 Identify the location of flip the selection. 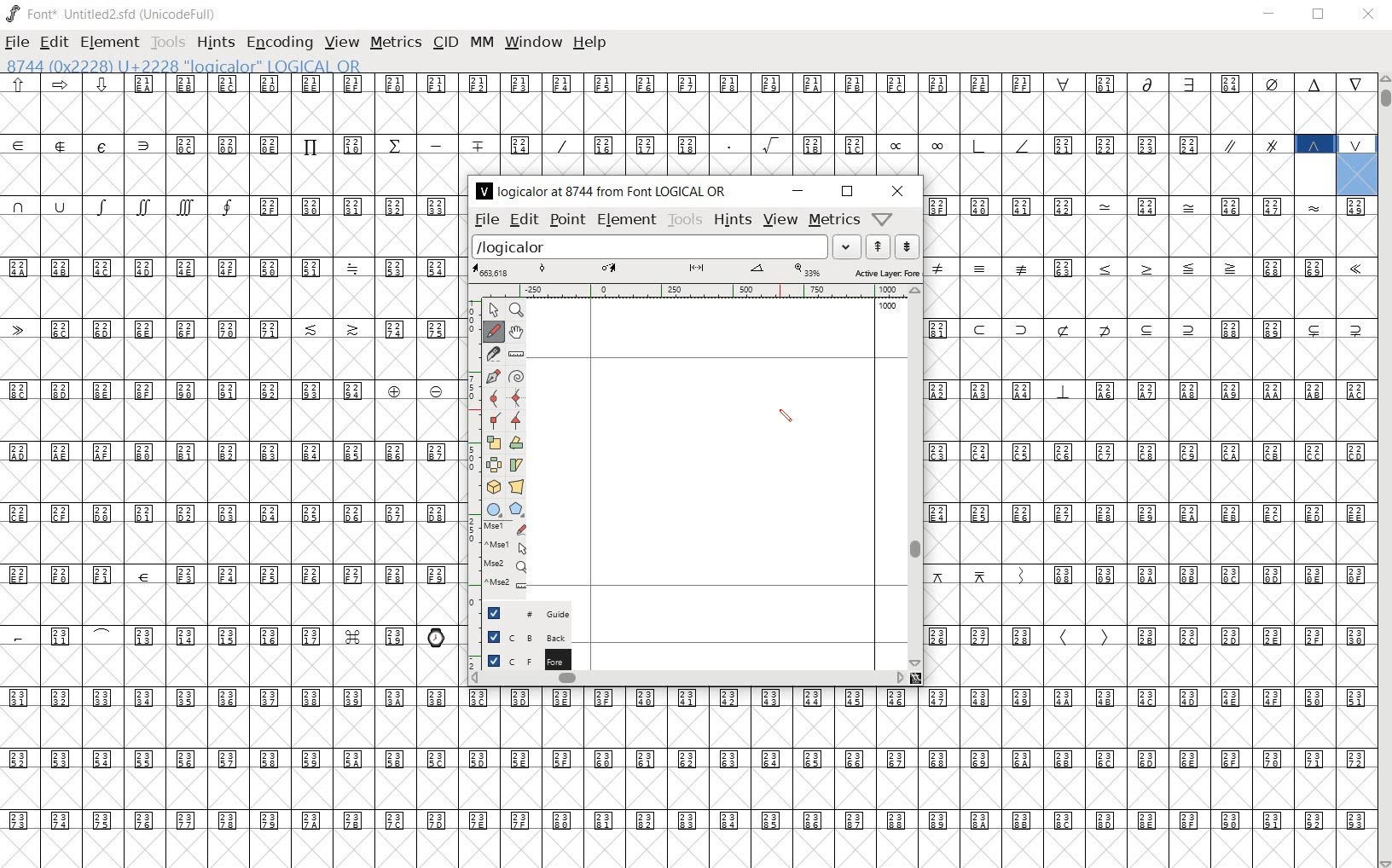
(518, 443).